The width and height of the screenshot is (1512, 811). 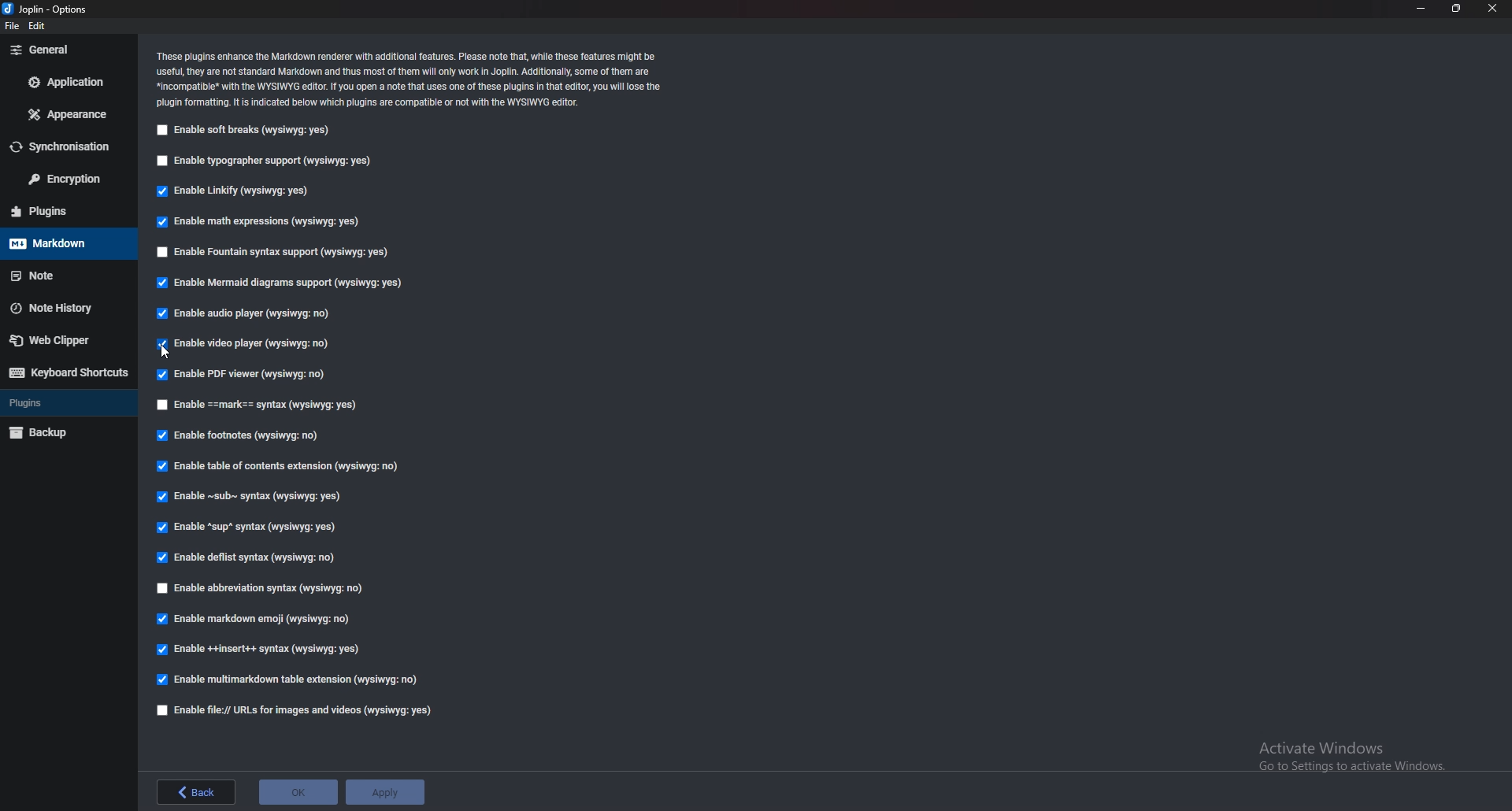 What do you see at coordinates (15, 24) in the screenshot?
I see `file` at bounding box center [15, 24].